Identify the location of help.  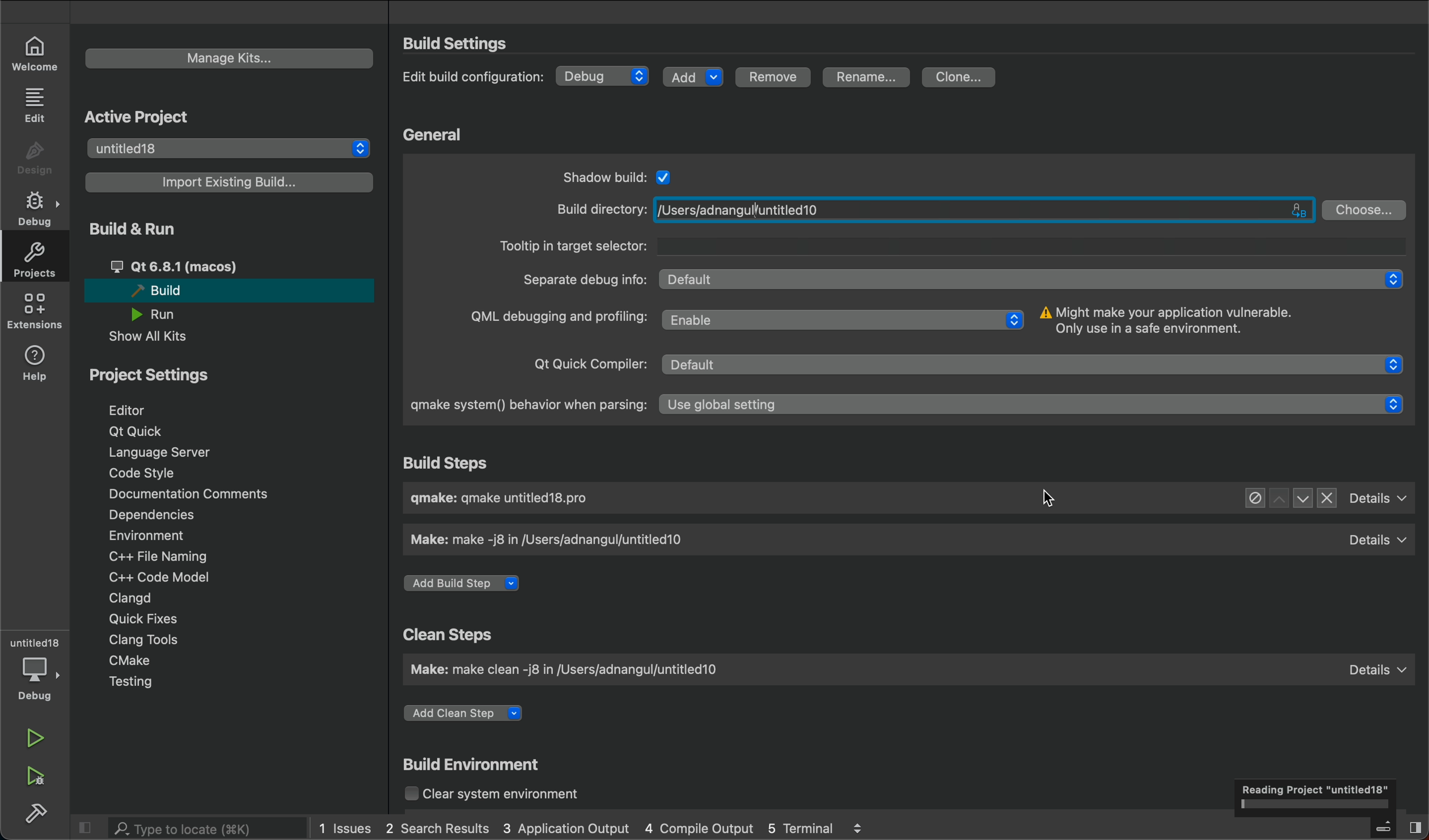
(34, 364).